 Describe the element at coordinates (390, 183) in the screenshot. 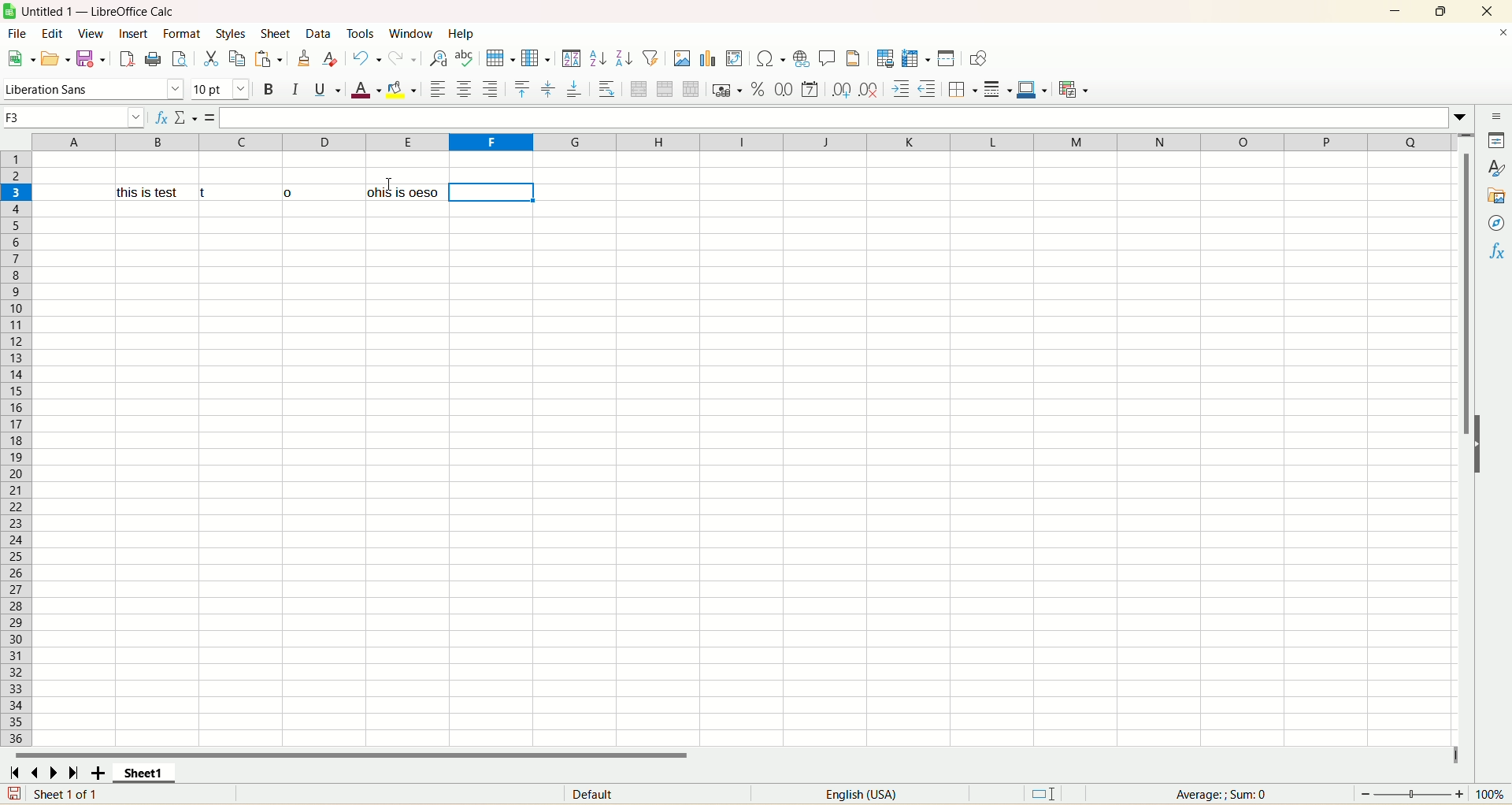

I see `Cursor` at that location.